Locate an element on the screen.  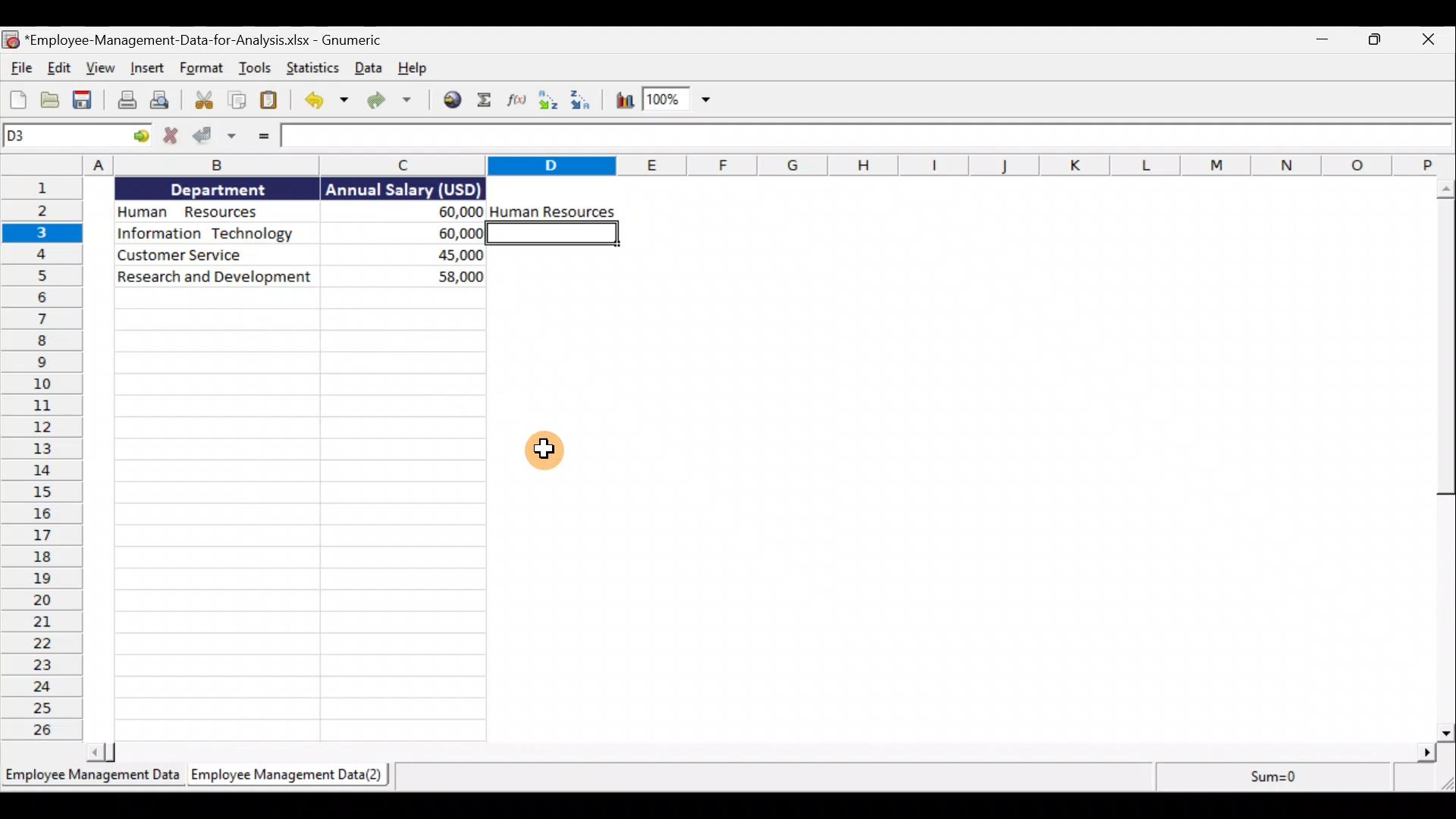
Human Resources is located at coordinates (557, 209).